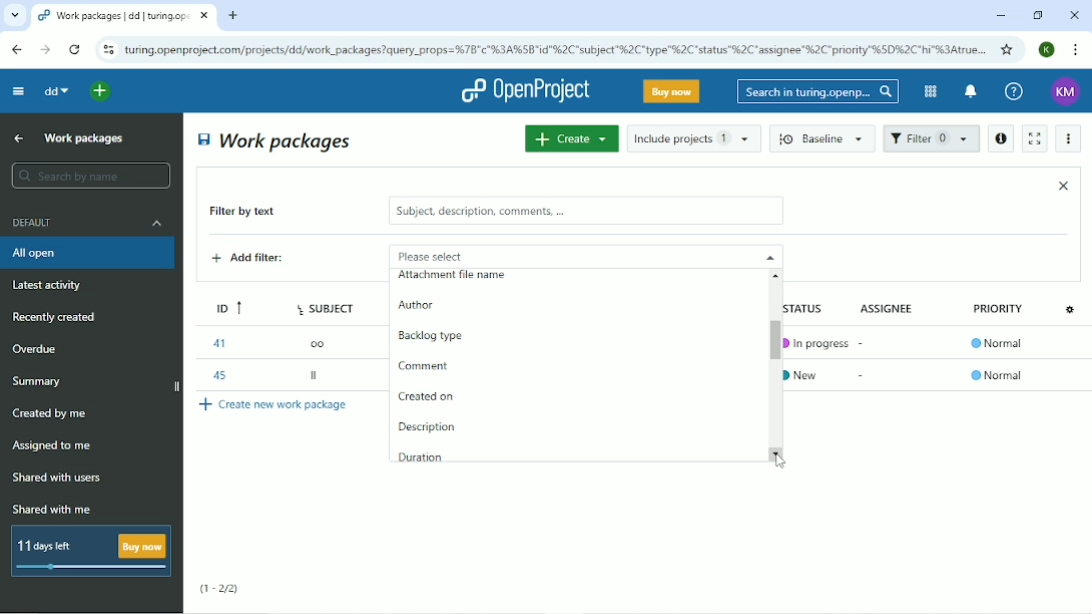 The height and width of the screenshot is (614, 1092). What do you see at coordinates (780, 453) in the screenshot?
I see `scroll down` at bounding box center [780, 453].